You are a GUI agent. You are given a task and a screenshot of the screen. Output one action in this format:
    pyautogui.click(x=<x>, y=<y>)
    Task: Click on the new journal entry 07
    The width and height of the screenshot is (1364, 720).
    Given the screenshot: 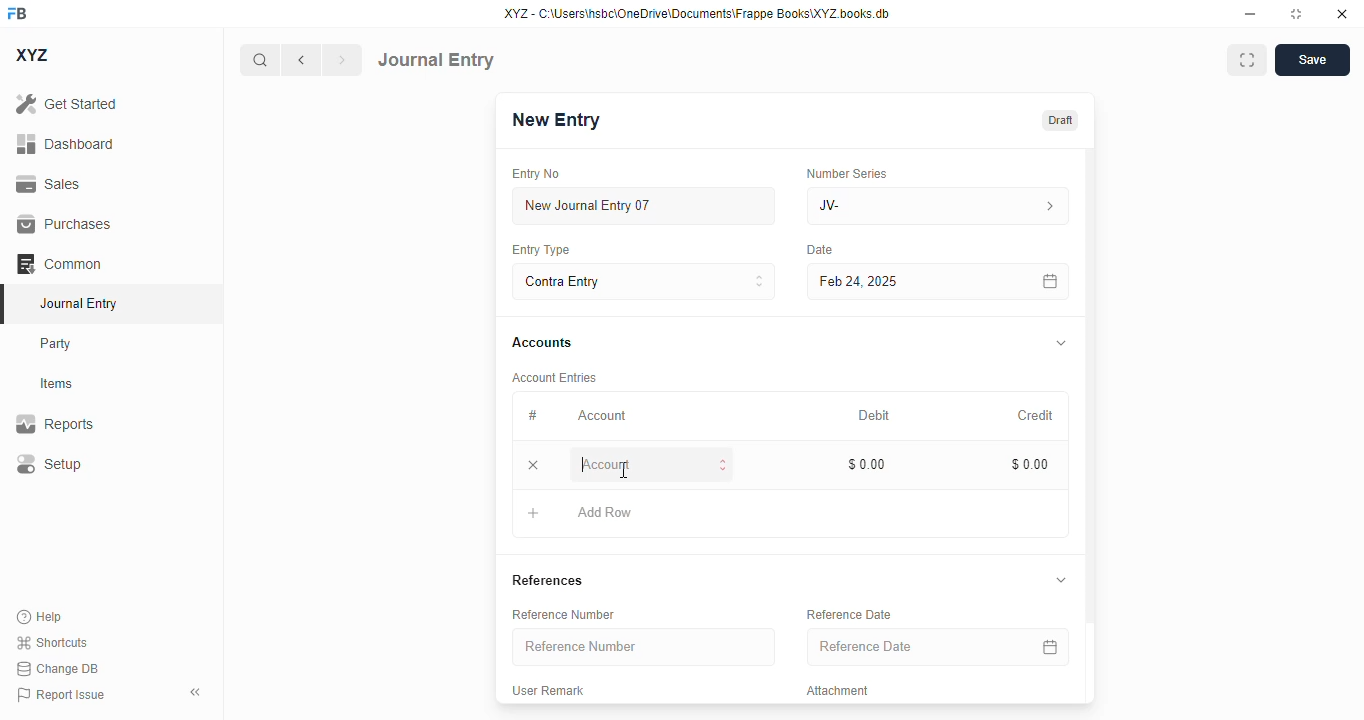 What is the action you would take?
    pyautogui.click(x=645, y=205)
    